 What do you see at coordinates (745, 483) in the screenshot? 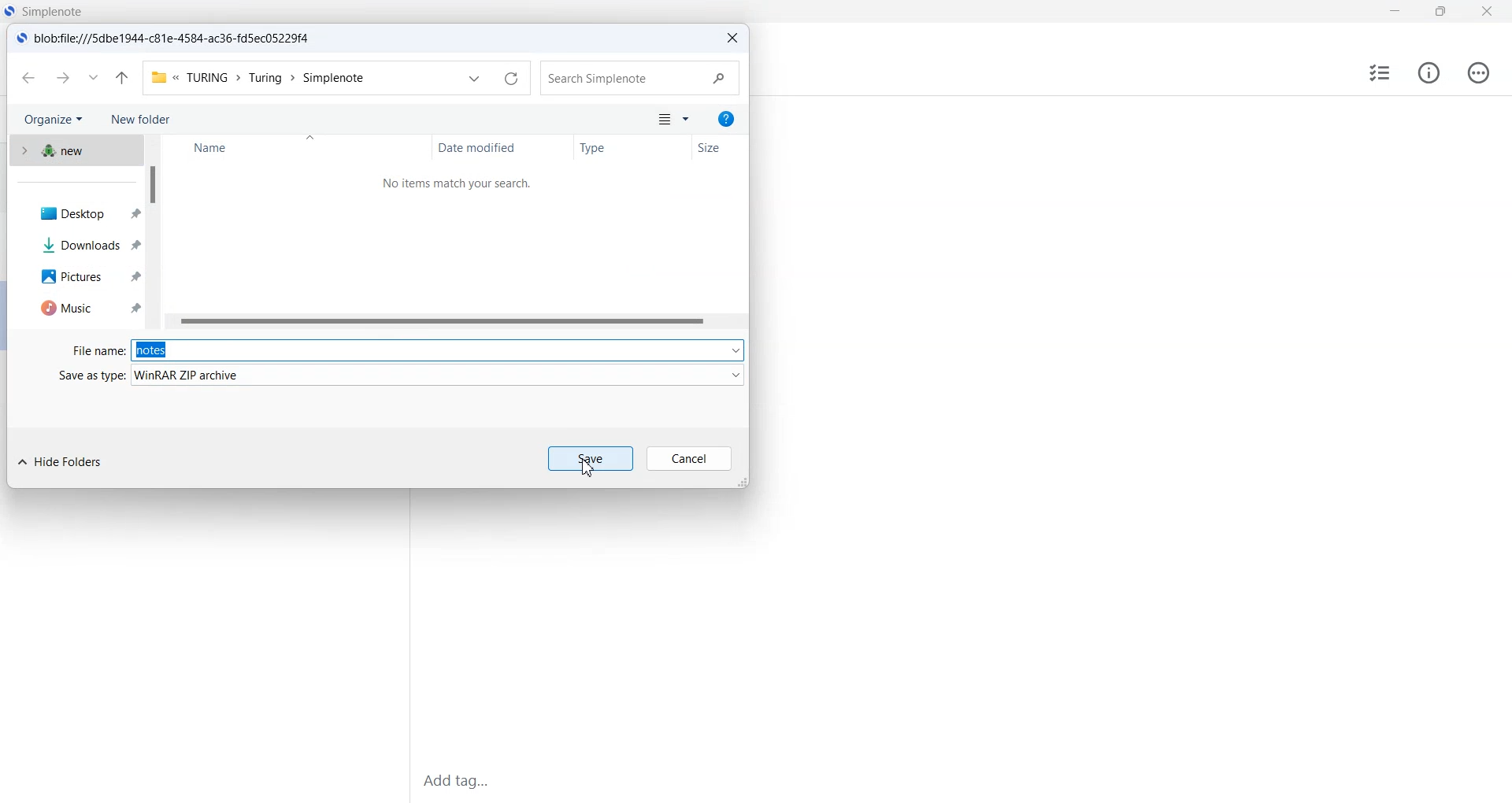
I see `Drag handle` at bounding box center [745, 483].